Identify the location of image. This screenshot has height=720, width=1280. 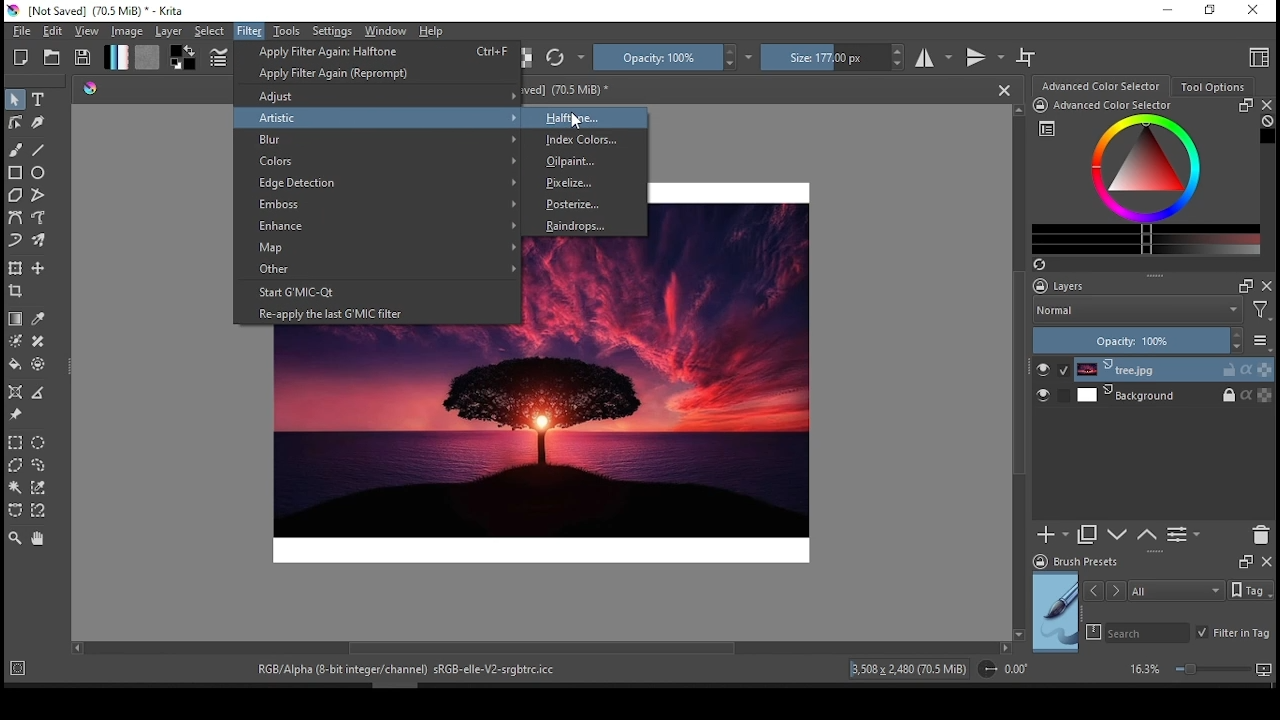
(731, 206).